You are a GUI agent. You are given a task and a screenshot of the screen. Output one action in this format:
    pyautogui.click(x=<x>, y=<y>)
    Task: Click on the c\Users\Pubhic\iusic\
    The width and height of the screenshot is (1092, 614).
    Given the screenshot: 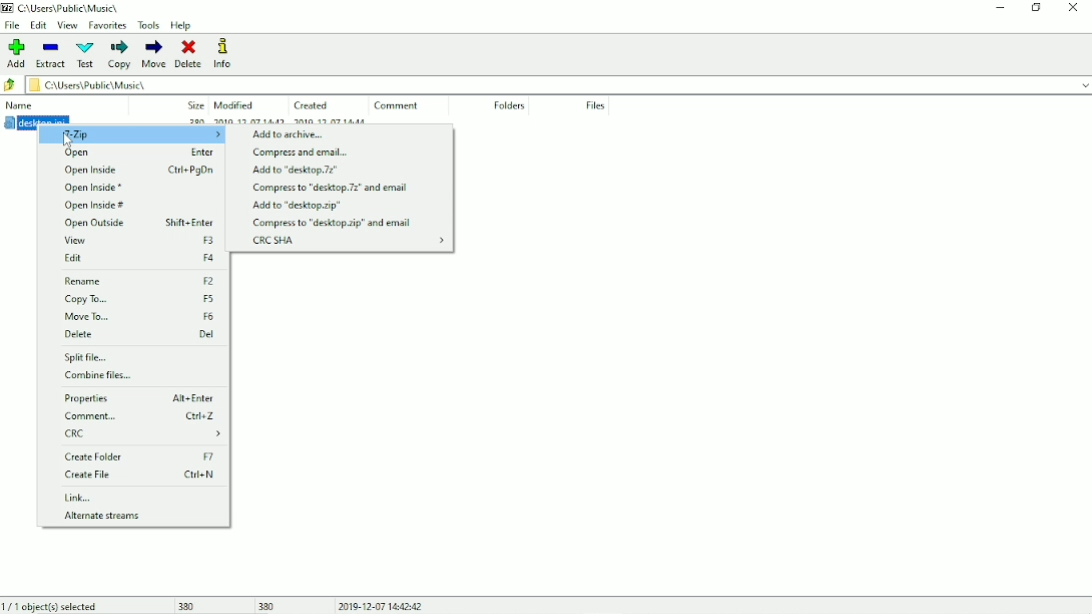 What is the action you would take?
    pyautogui.click(x=561, y=86)
    